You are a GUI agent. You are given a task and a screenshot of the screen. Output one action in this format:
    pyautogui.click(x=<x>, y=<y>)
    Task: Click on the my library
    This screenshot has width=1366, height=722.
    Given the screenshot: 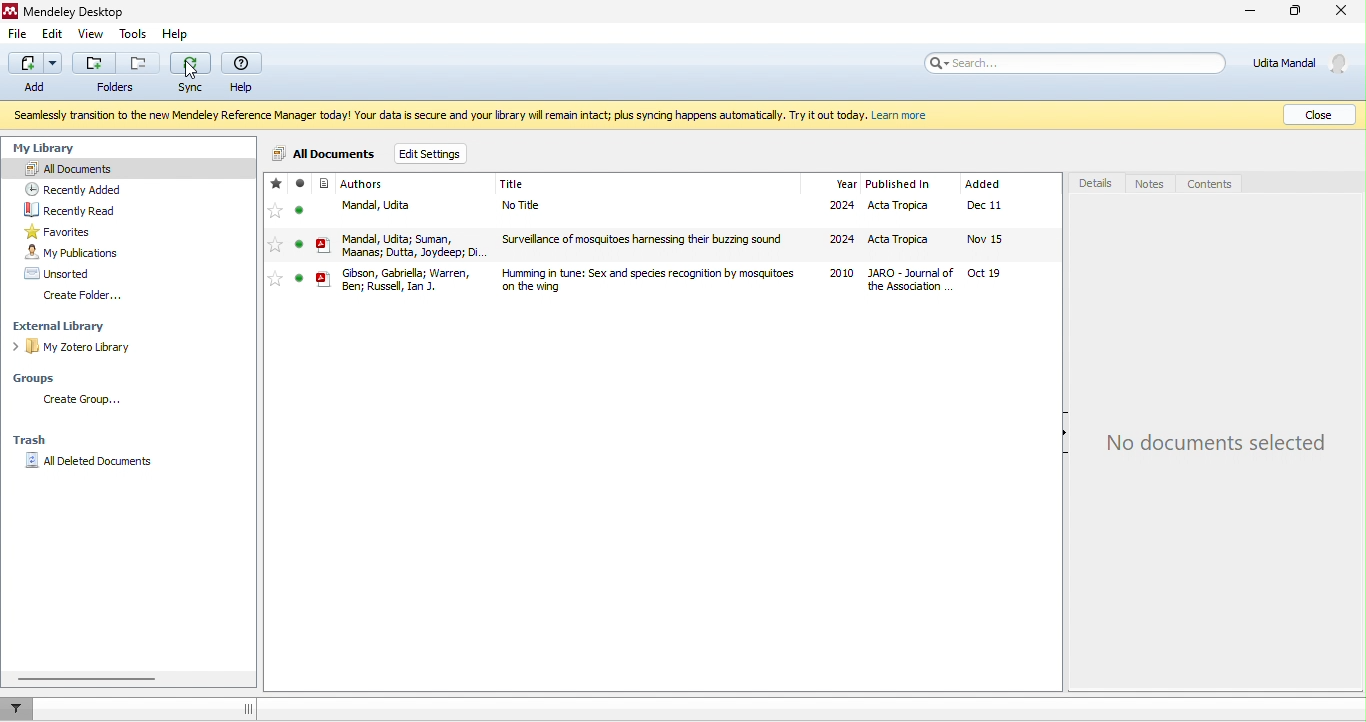 What is the action you would take?
    pyautogui.click(x=59, y=146)
    